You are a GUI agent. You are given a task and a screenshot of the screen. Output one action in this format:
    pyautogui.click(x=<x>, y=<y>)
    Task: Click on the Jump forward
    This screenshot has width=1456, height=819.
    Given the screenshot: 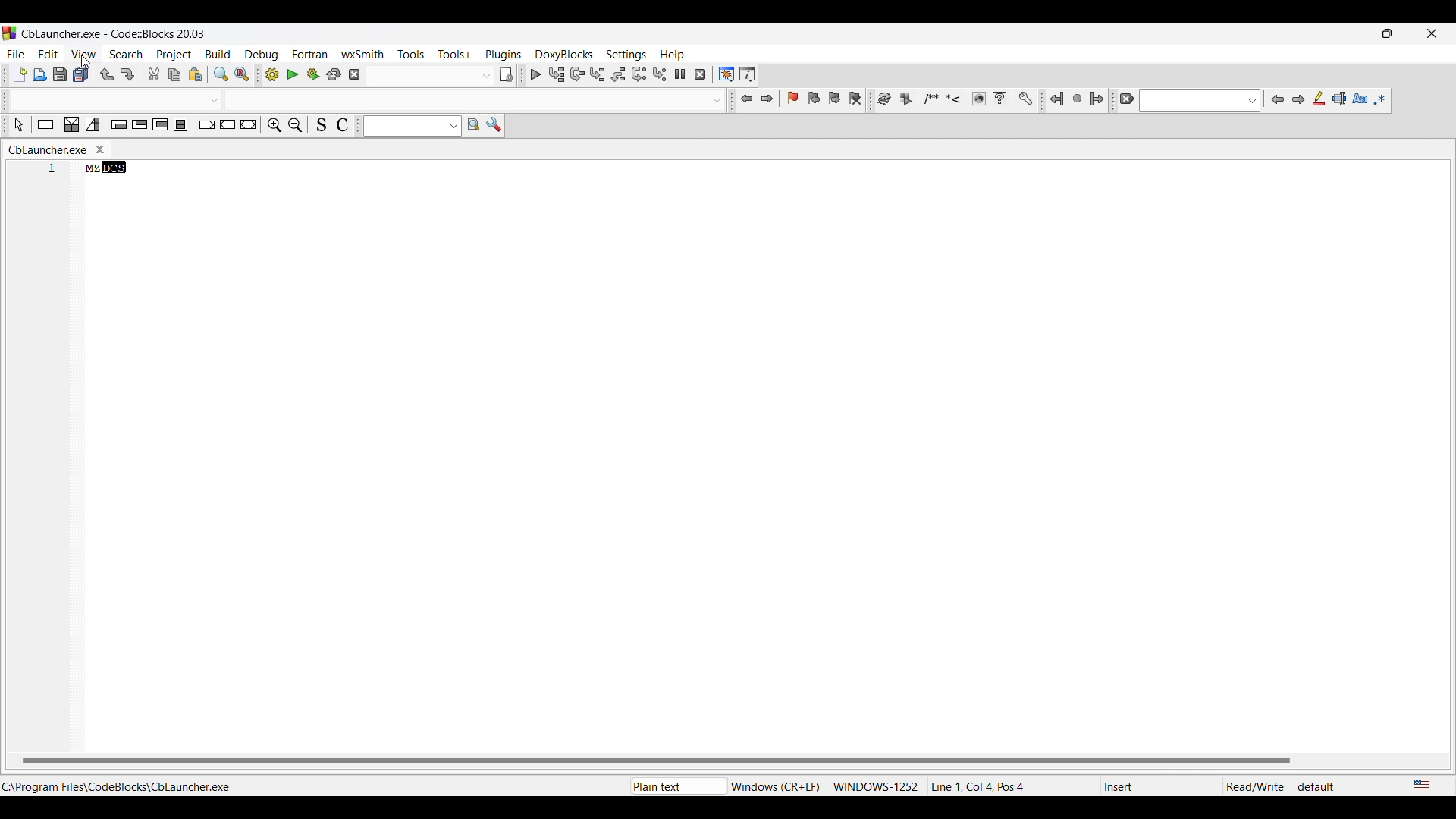 What is the action you would take?
    pyautogui.click(x=767, y=99)
    